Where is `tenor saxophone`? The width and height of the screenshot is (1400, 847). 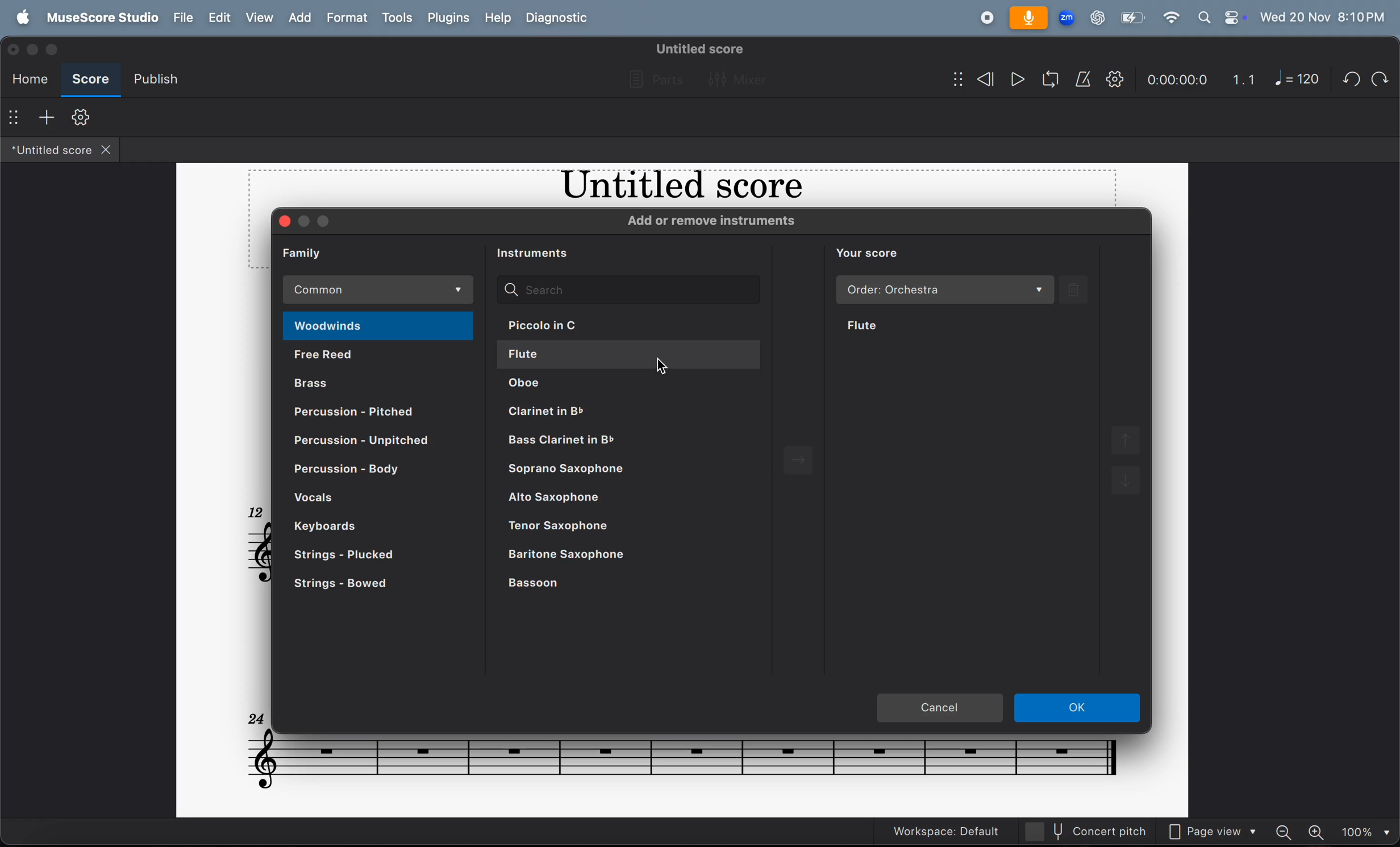 tenor saxophone is located at coordinates (625, 528).